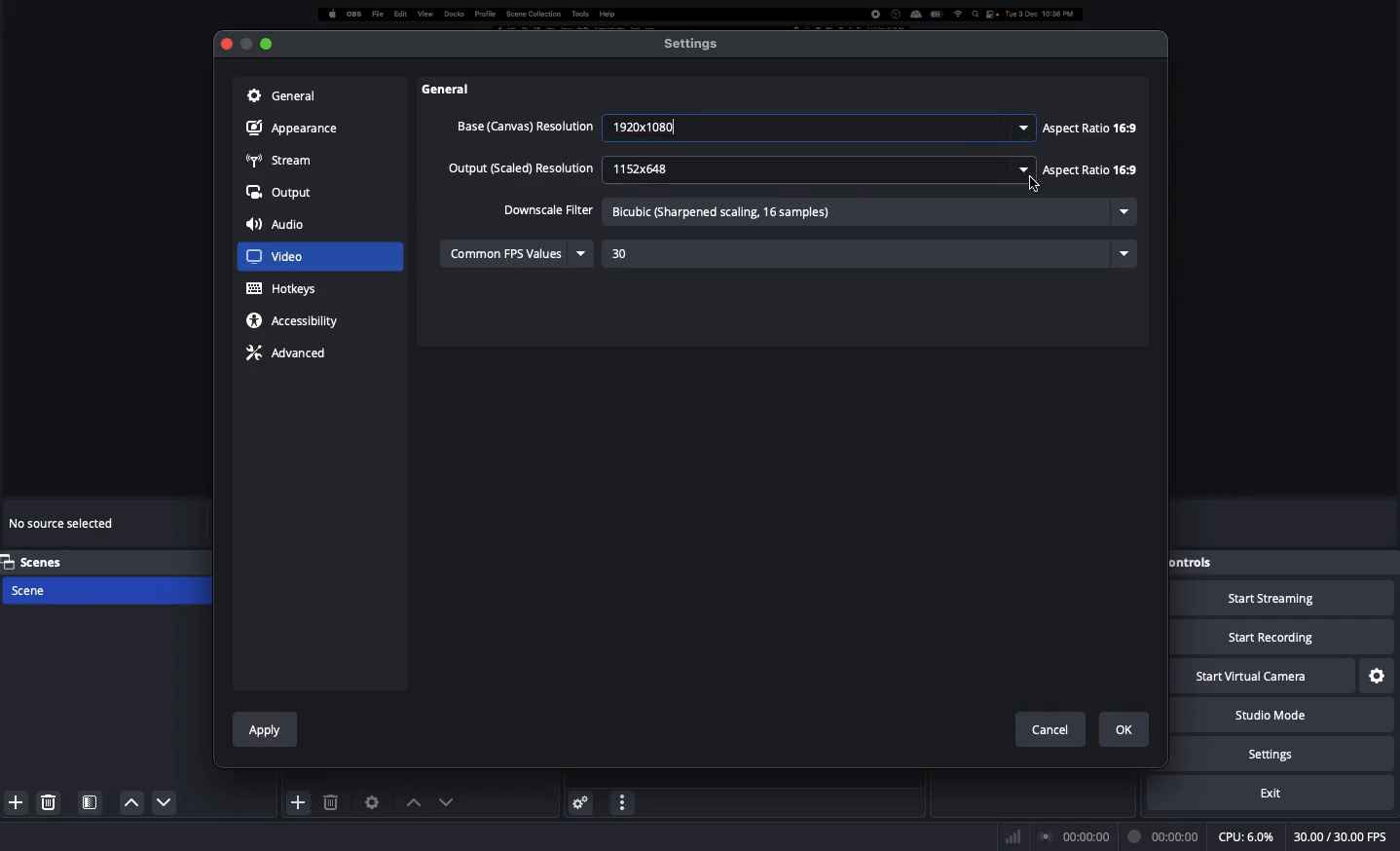 The width and height of the screenshot is (1400, 851). I want to click on No source selected, so click(64, 527).